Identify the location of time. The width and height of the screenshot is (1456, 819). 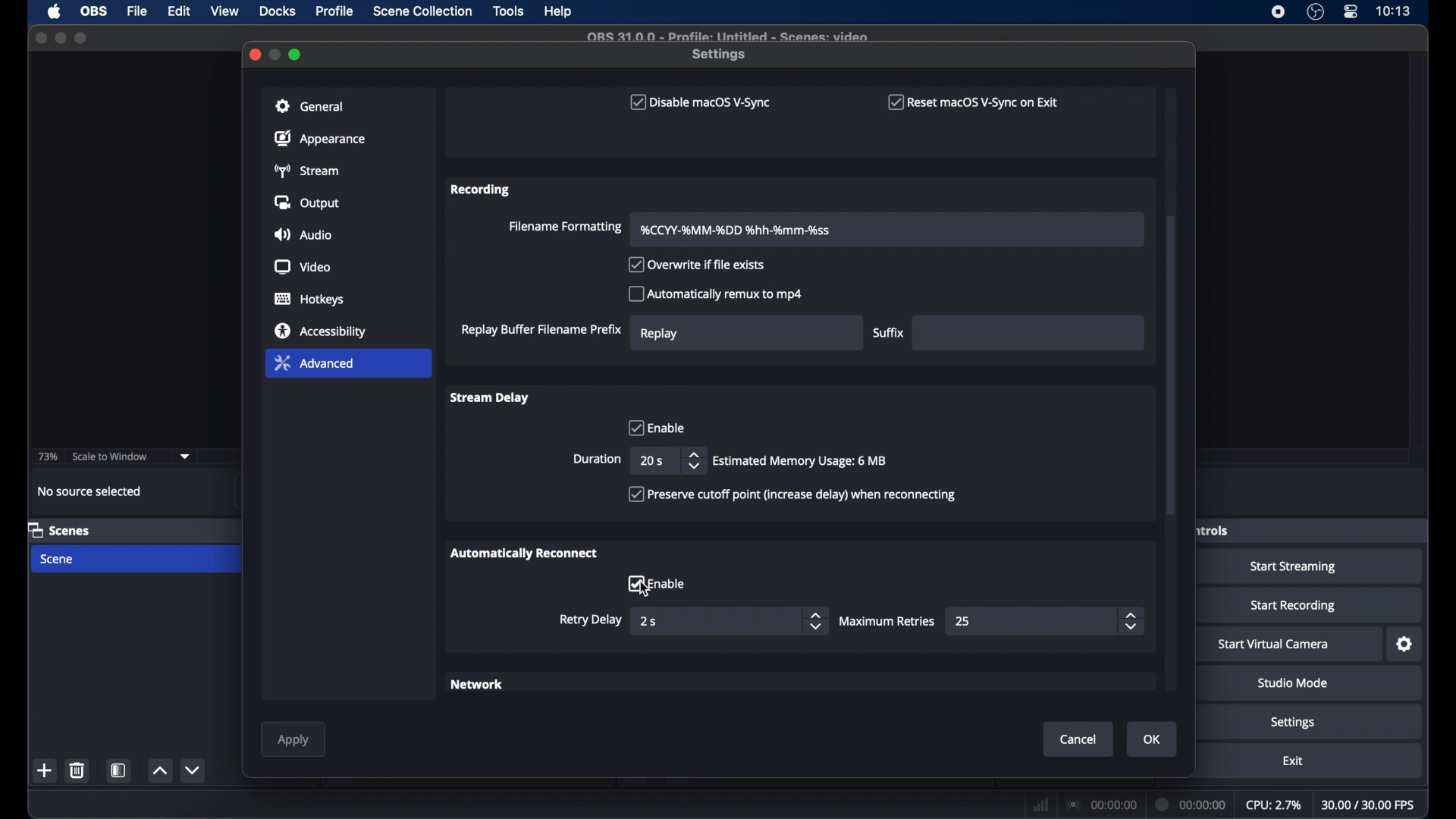
(1393, 11).